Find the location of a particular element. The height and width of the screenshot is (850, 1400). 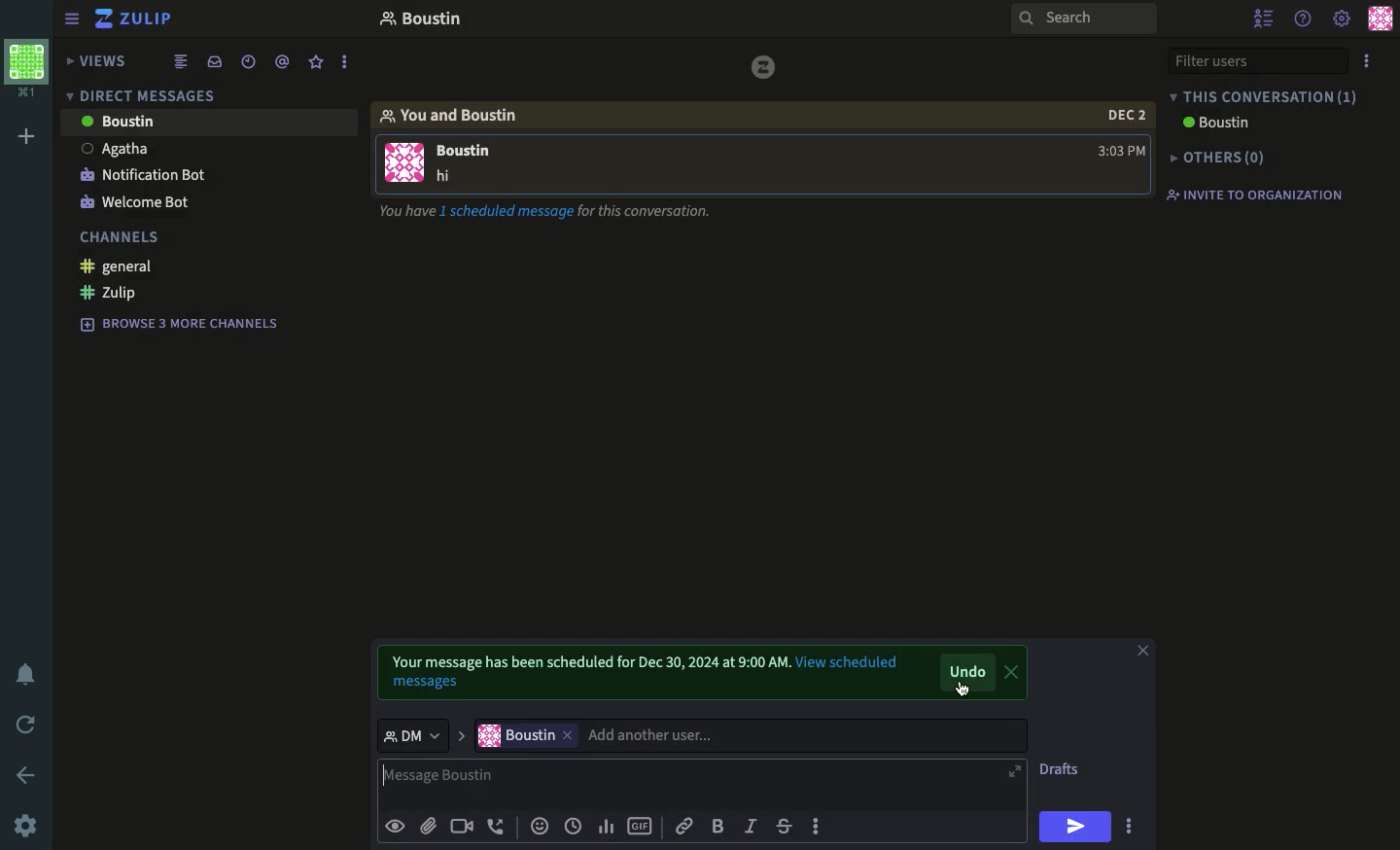

search is located at coordinates (1080, 19).